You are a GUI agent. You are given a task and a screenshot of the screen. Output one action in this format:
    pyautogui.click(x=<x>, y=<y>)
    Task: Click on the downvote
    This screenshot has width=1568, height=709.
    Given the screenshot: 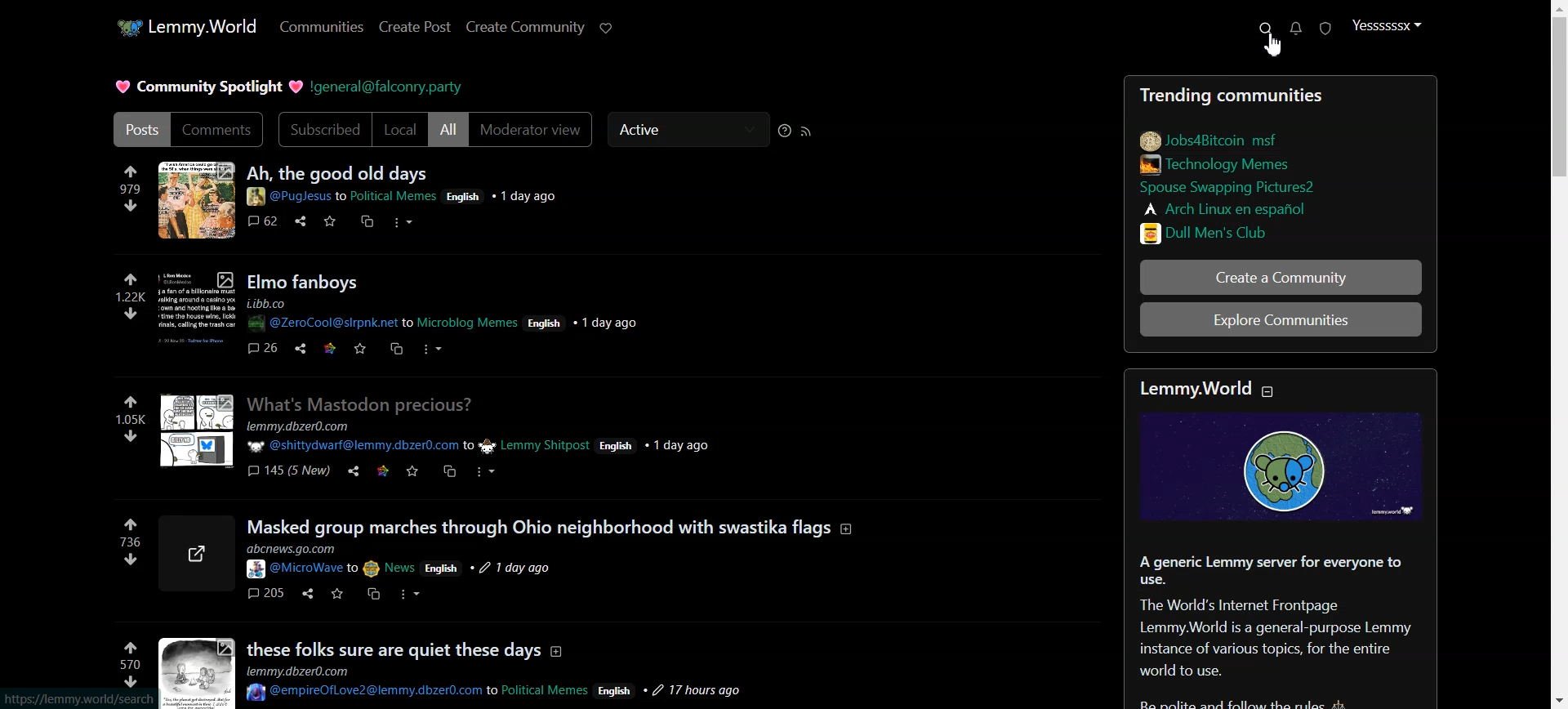 What is the action you would take?
    pyautogui.click(x=130, y=435)
    